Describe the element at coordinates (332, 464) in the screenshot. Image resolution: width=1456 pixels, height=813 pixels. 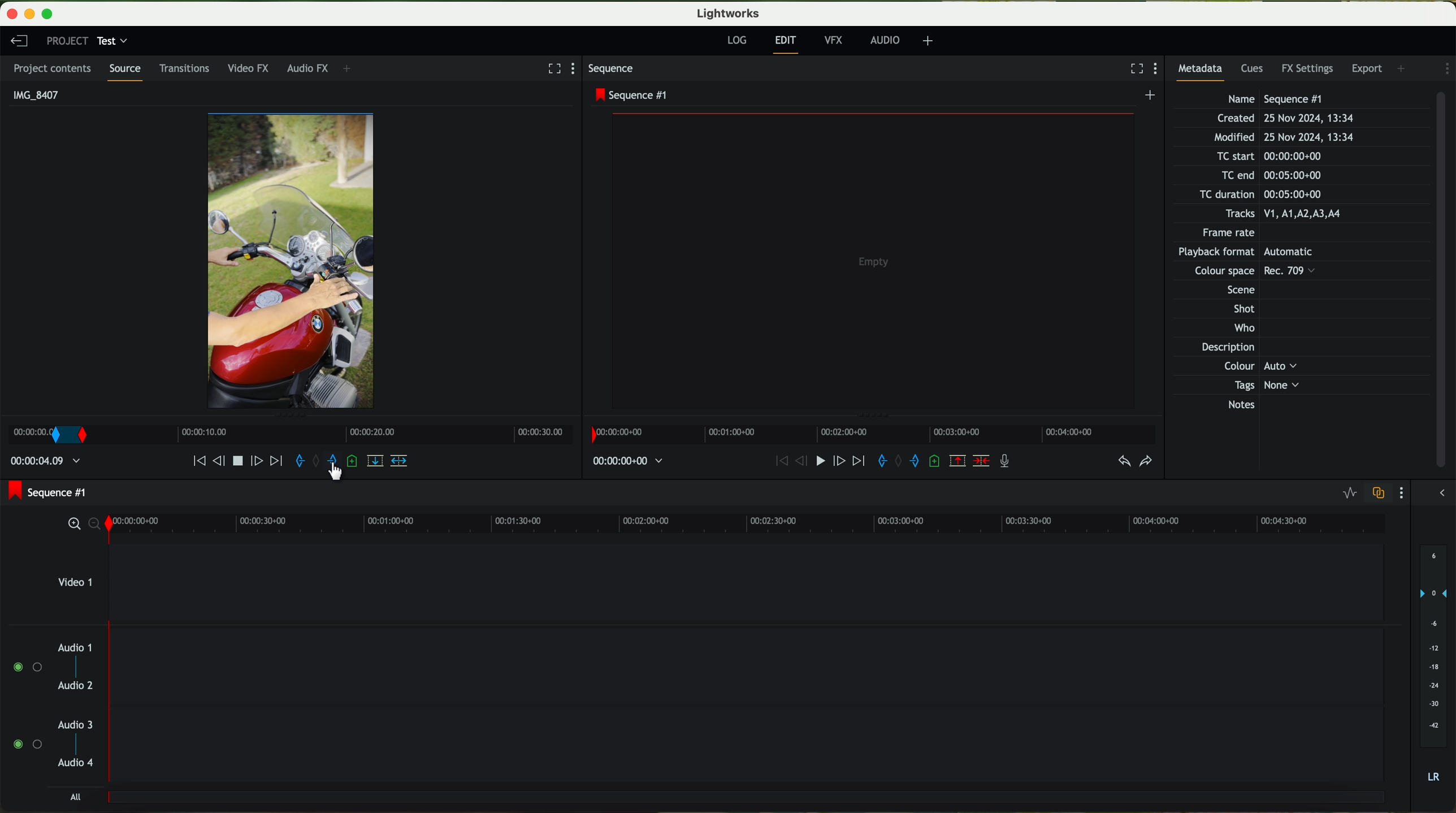
I see `add an out mark` at that location.